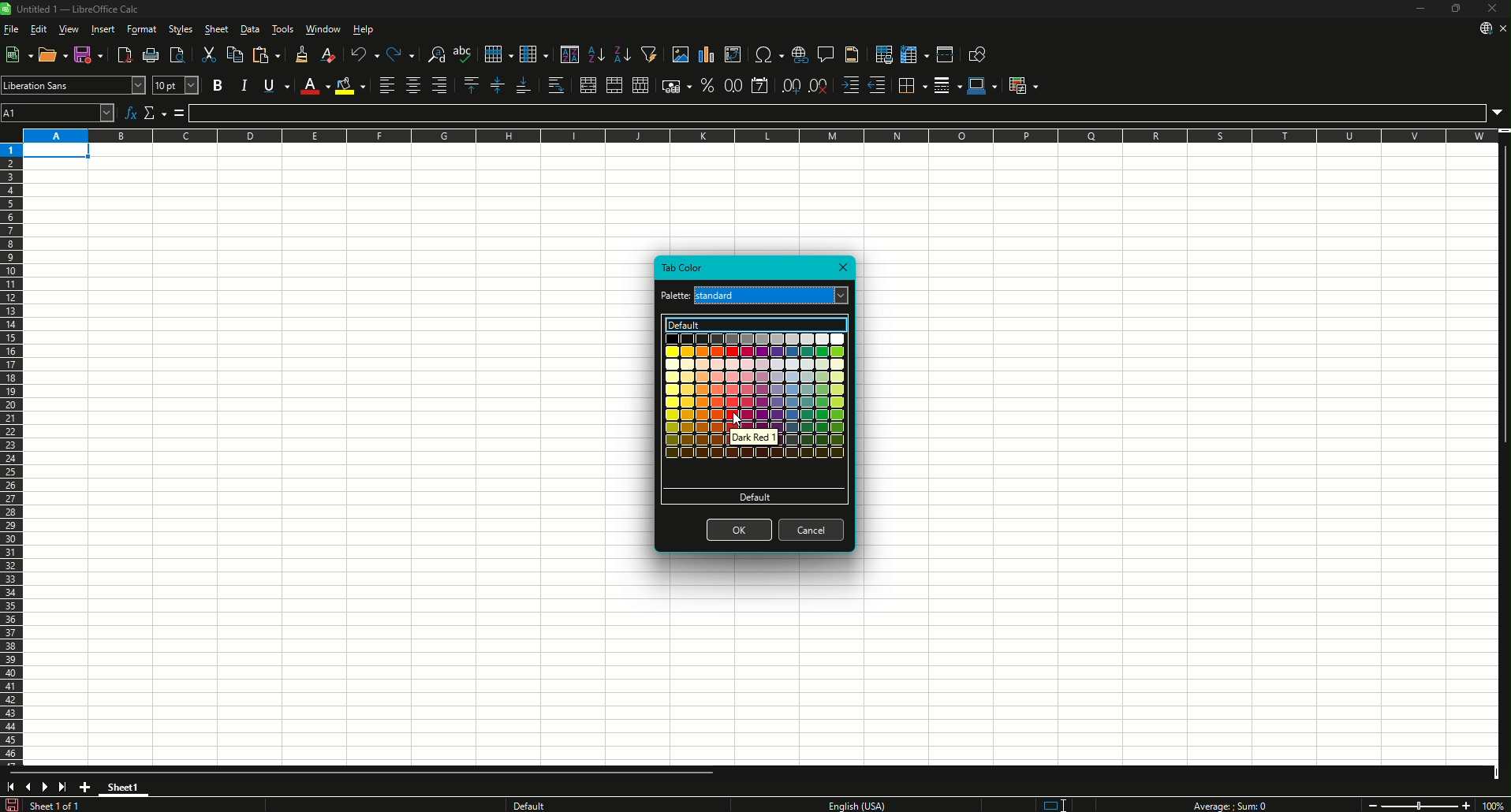 This screenshot has height=812, width=1511. I want to click on New, so click(18, 54).